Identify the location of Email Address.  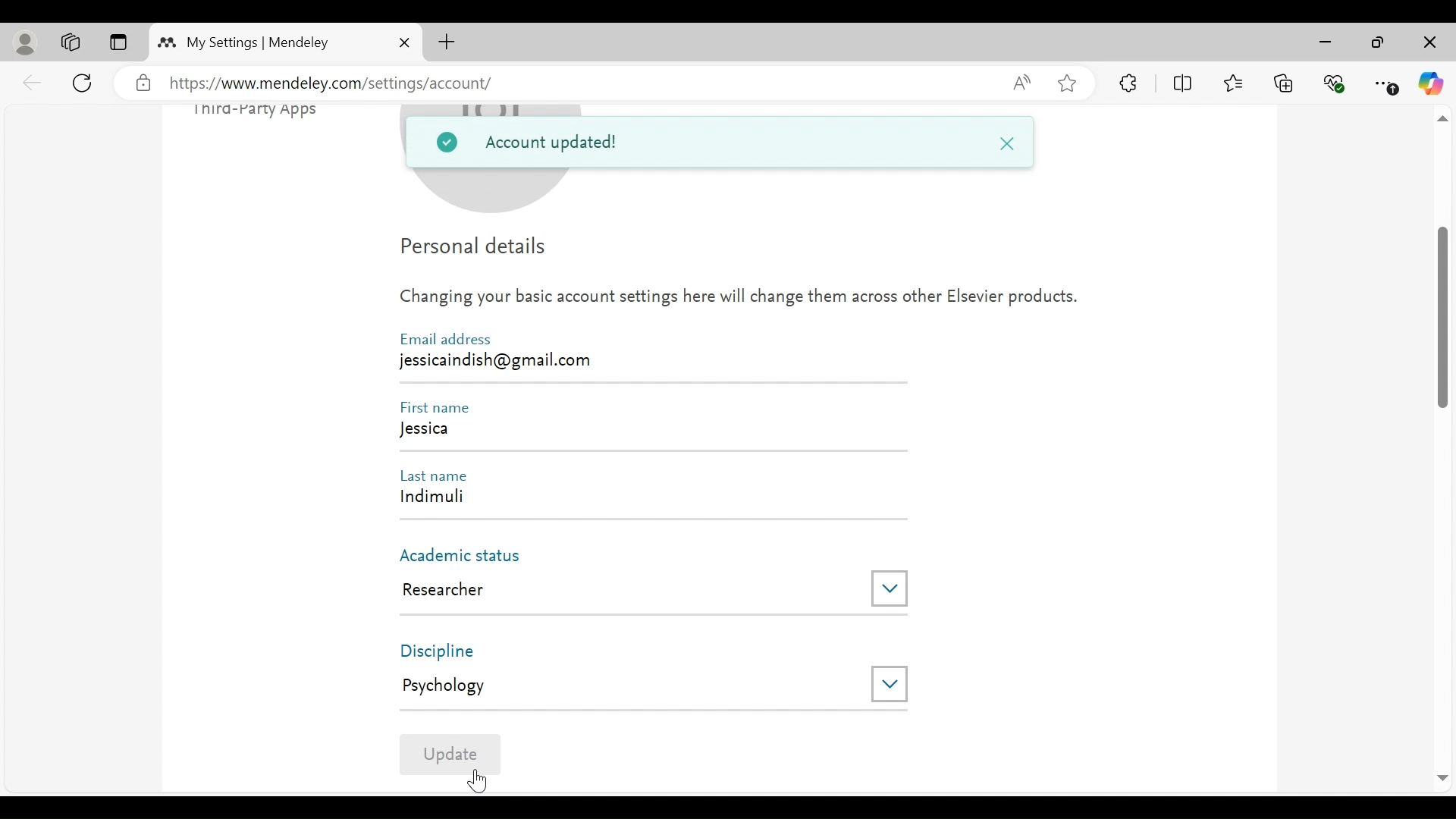
(445, 339).